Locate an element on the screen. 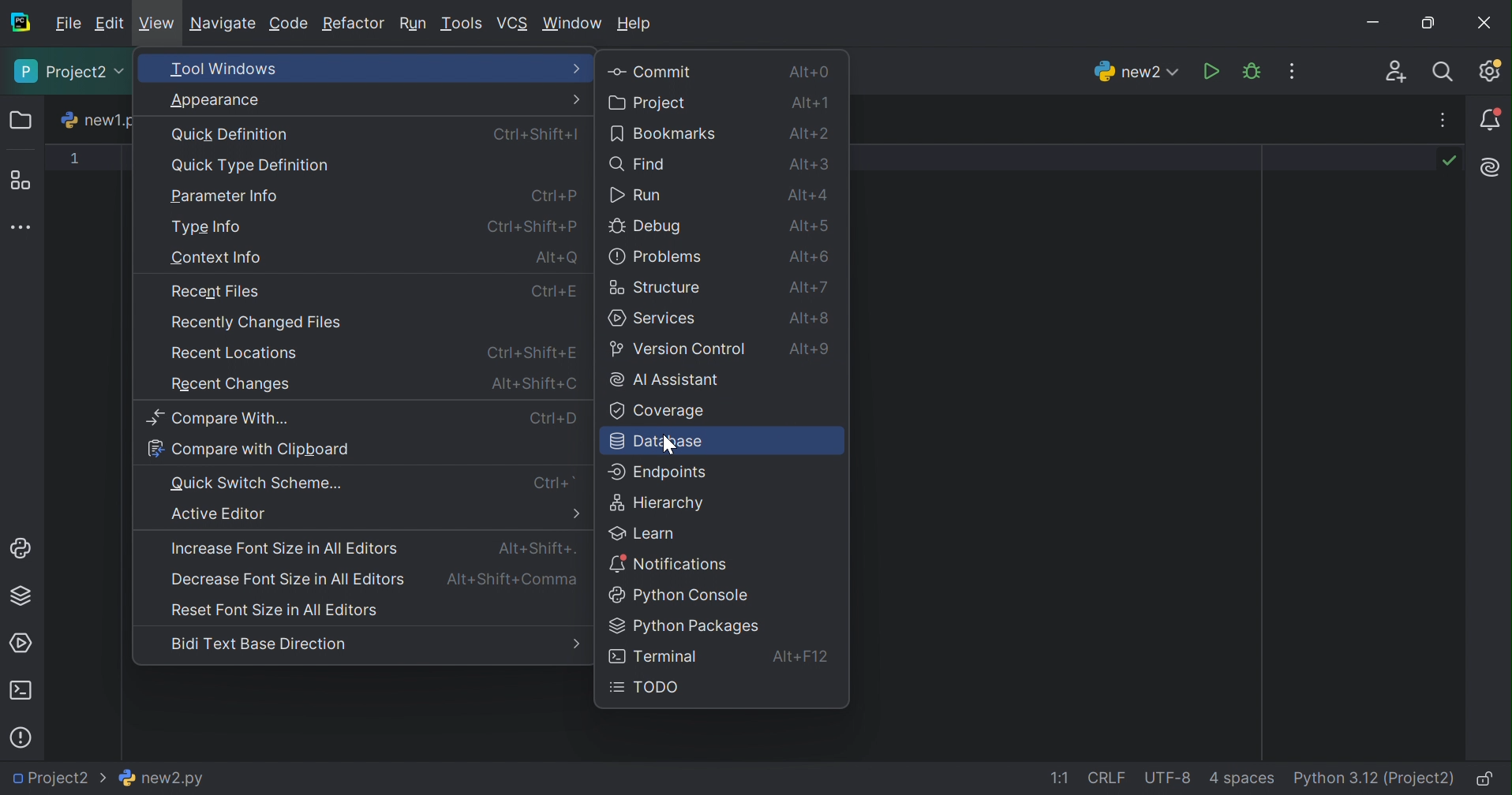 The height and width of the screenshot is (795, 1512). new2.py is located at coordinates (163, 775).